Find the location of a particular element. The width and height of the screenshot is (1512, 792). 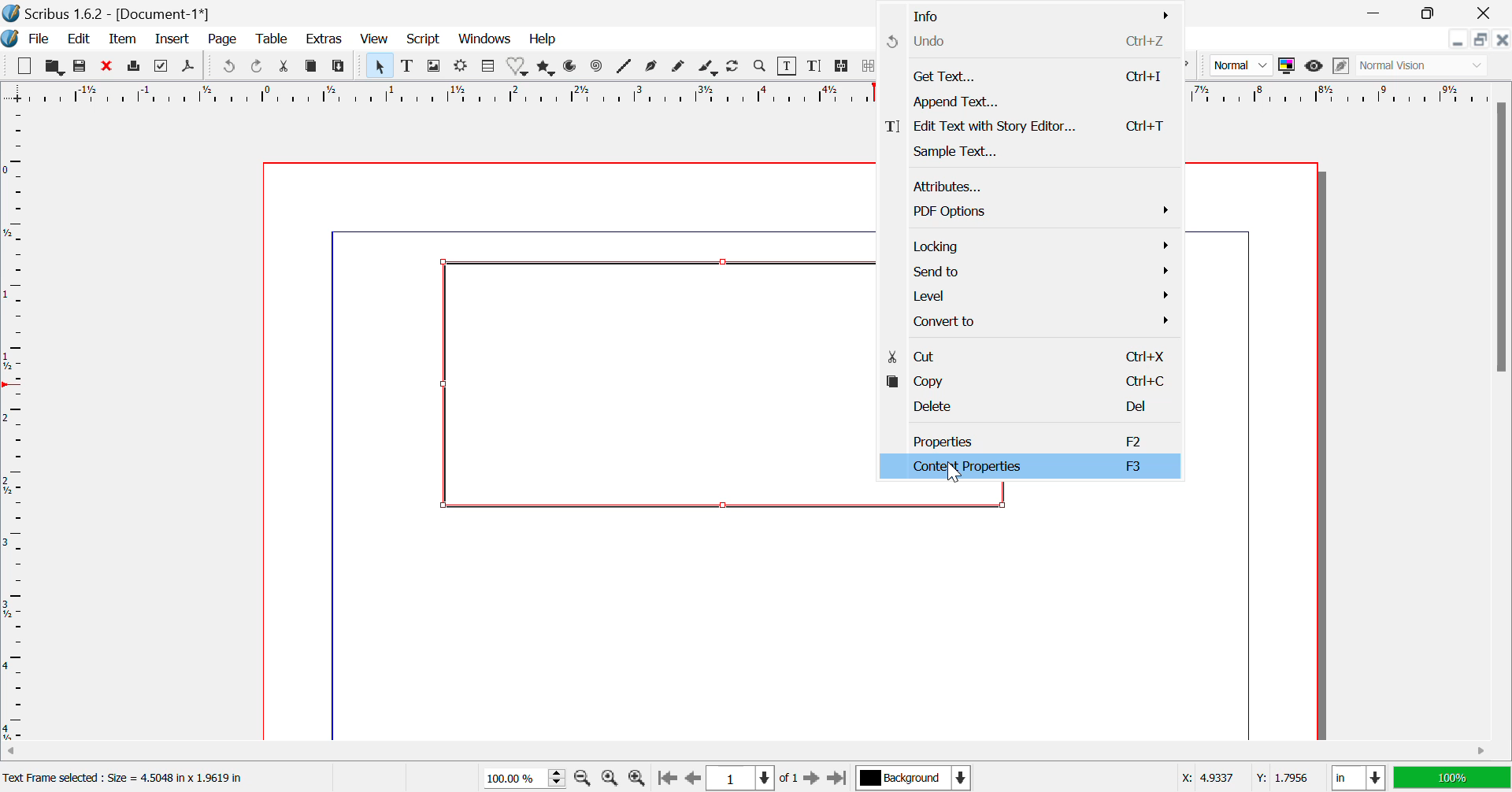

Render Frame is located at coordinates (463, 66).